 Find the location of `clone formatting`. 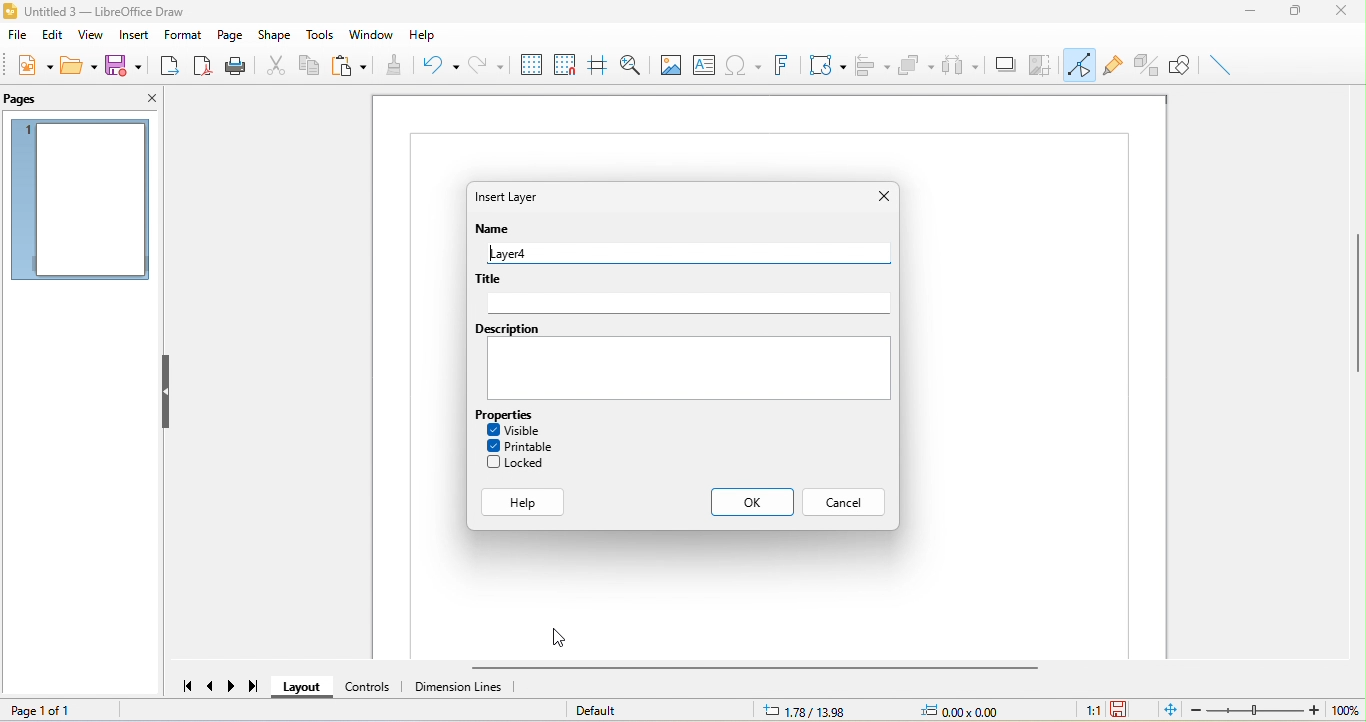

clone formatting is located at coordinates (393, 66).